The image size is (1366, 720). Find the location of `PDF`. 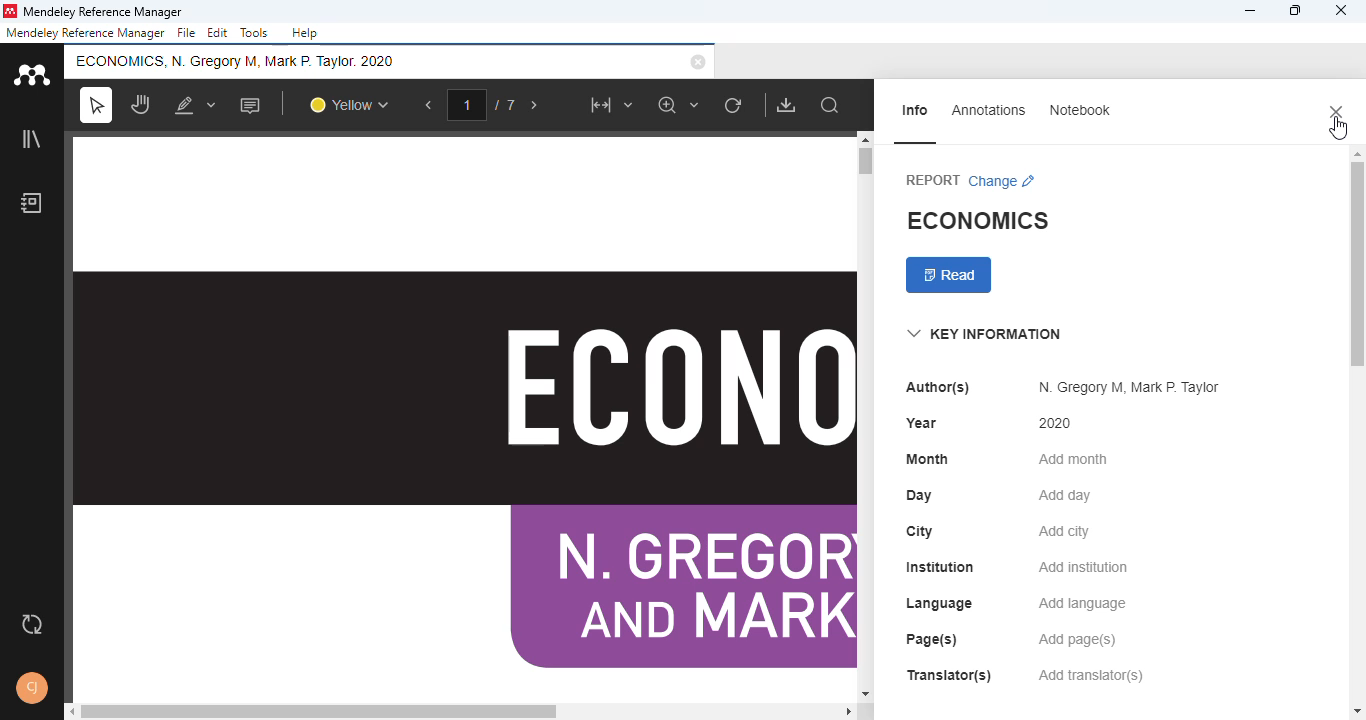

PDF is located at coordinates (464, 415).